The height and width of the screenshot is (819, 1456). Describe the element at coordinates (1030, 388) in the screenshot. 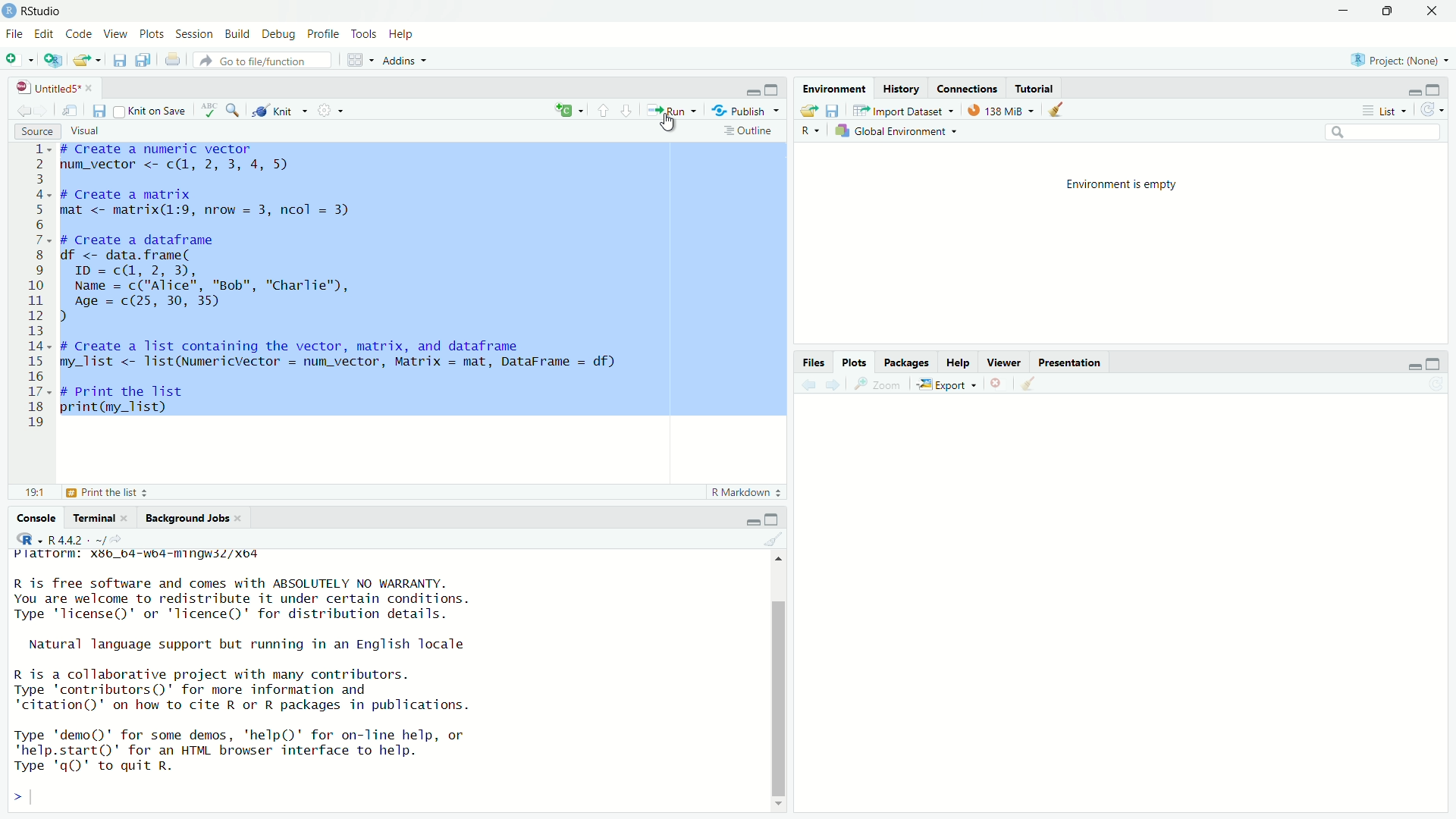

I see `clear` at that location.